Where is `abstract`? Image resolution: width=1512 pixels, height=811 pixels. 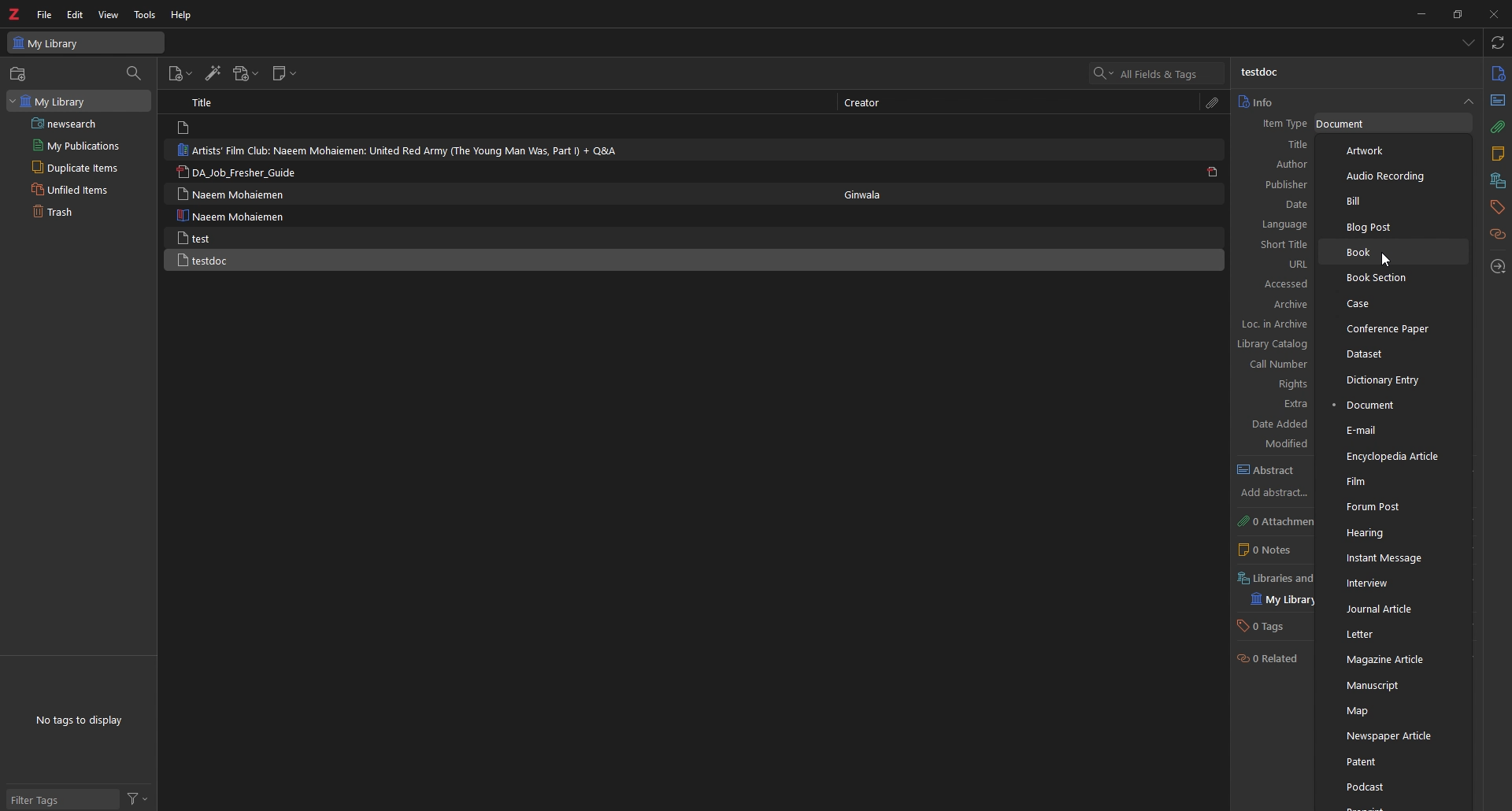 abstract is located at coordinates (1497, 102).